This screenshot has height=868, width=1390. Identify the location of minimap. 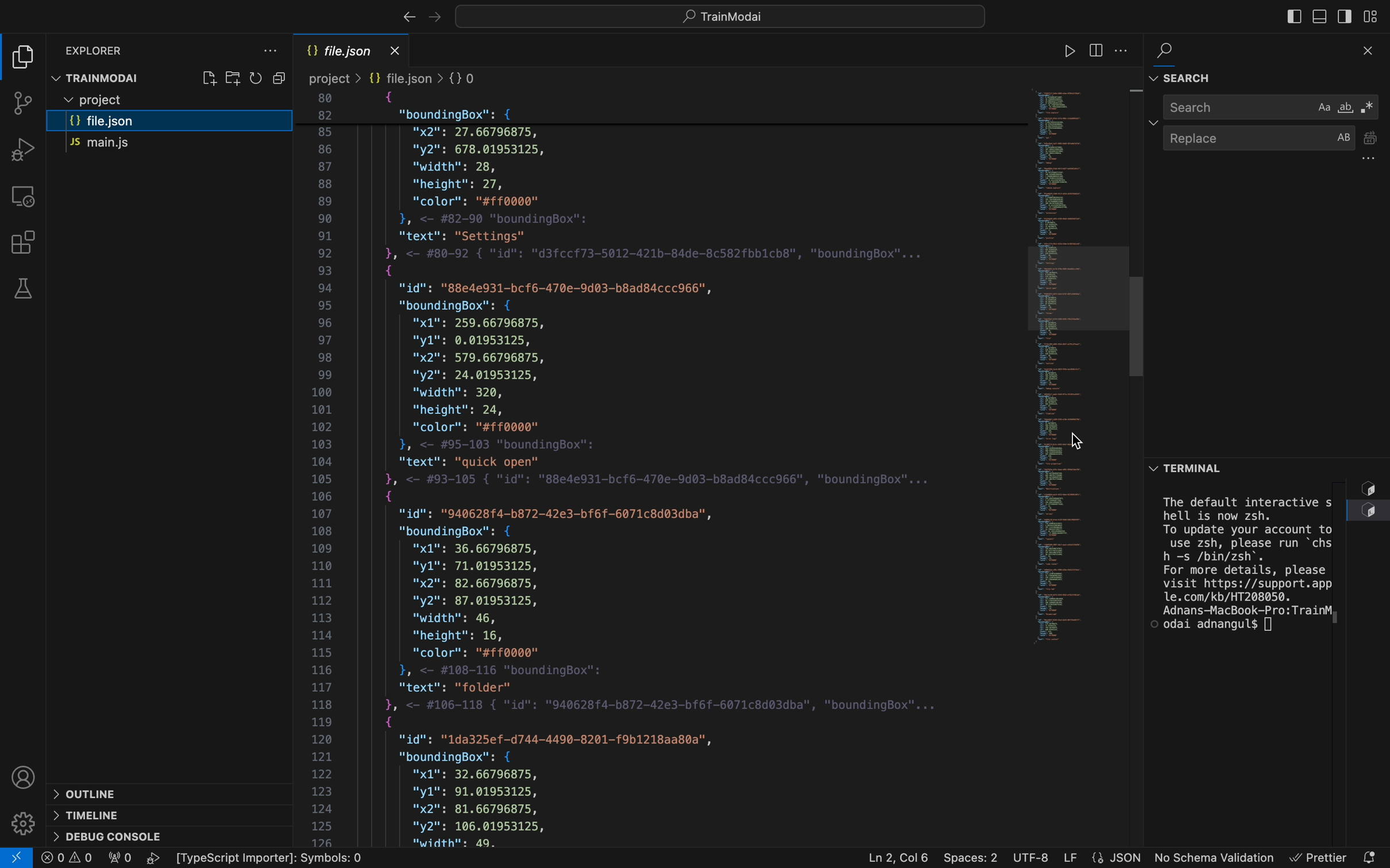
(1091, 369).